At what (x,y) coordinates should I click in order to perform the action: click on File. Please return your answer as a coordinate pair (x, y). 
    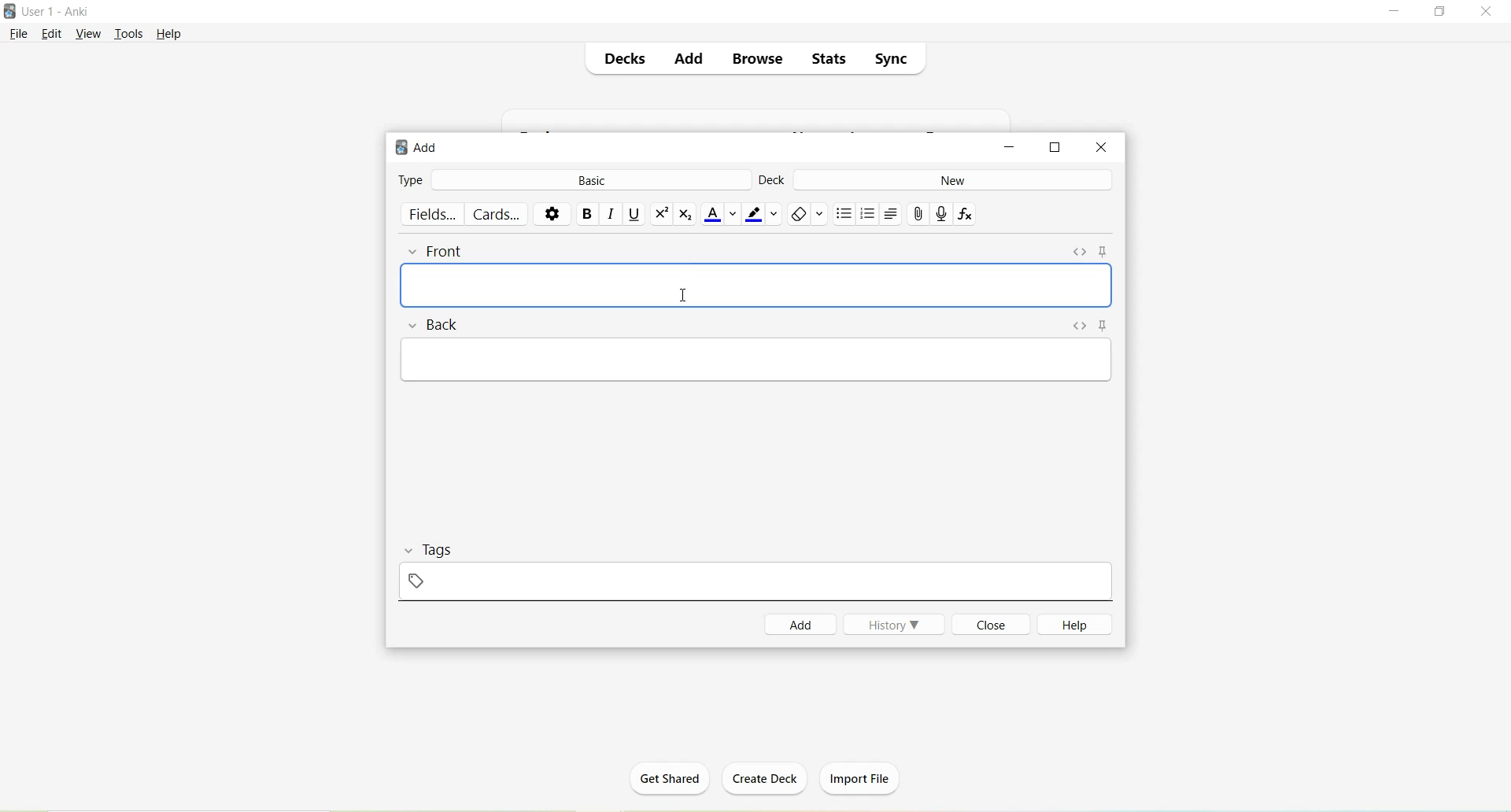
    Looking at the image, I should click on (19, 35).